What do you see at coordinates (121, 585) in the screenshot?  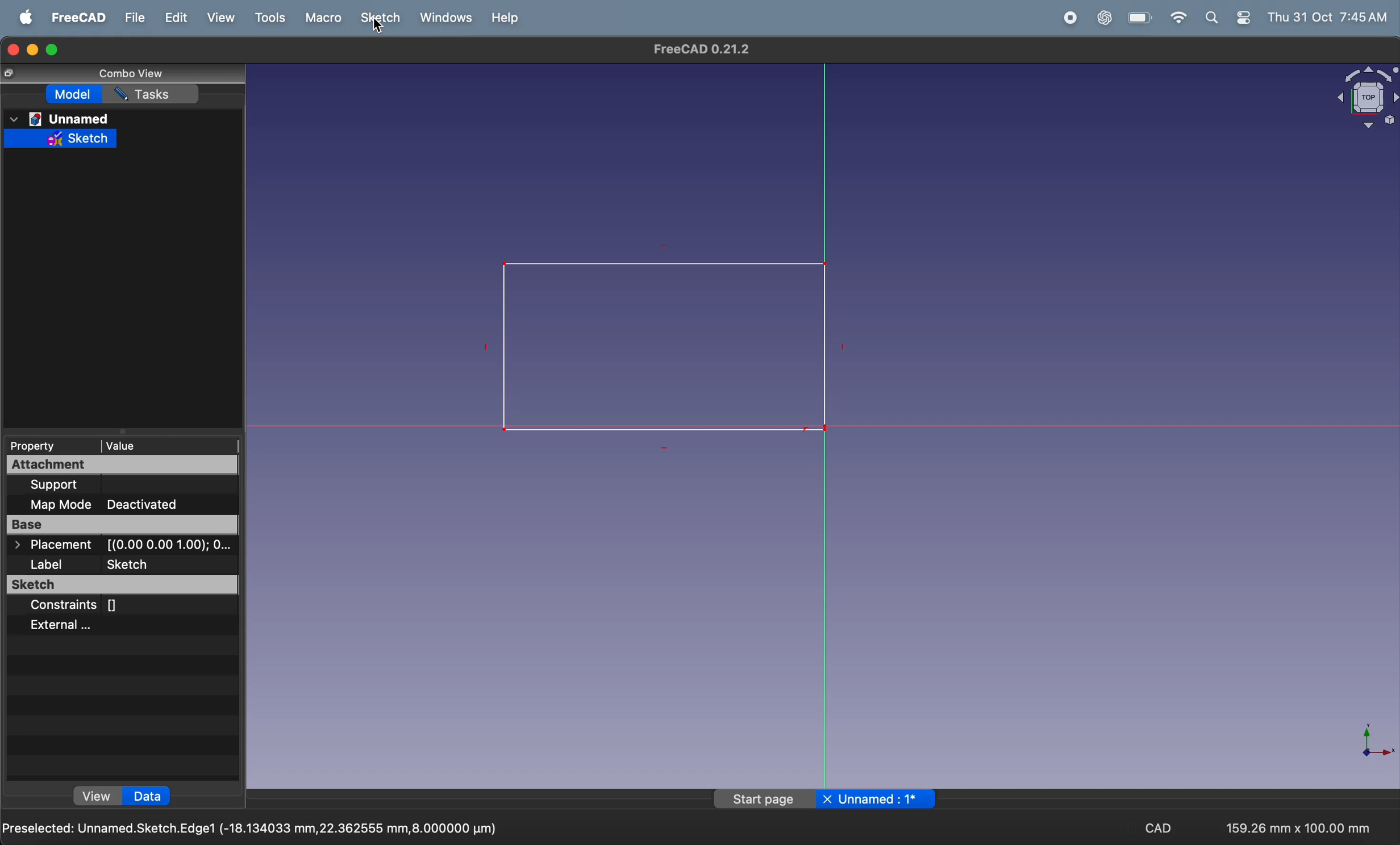 I see `sketch` at bounding box center [121, 585].